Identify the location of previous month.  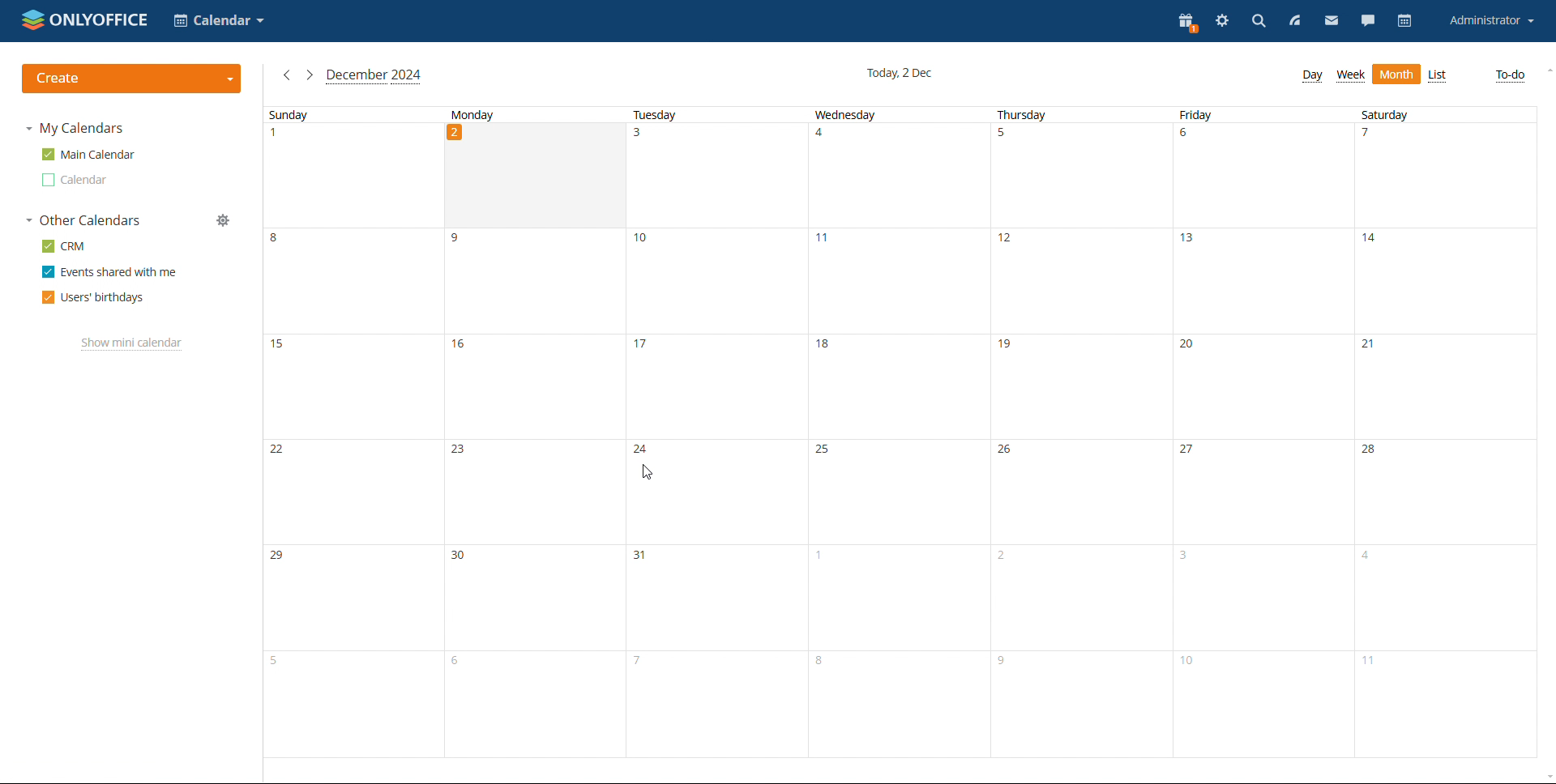
(287, 75).